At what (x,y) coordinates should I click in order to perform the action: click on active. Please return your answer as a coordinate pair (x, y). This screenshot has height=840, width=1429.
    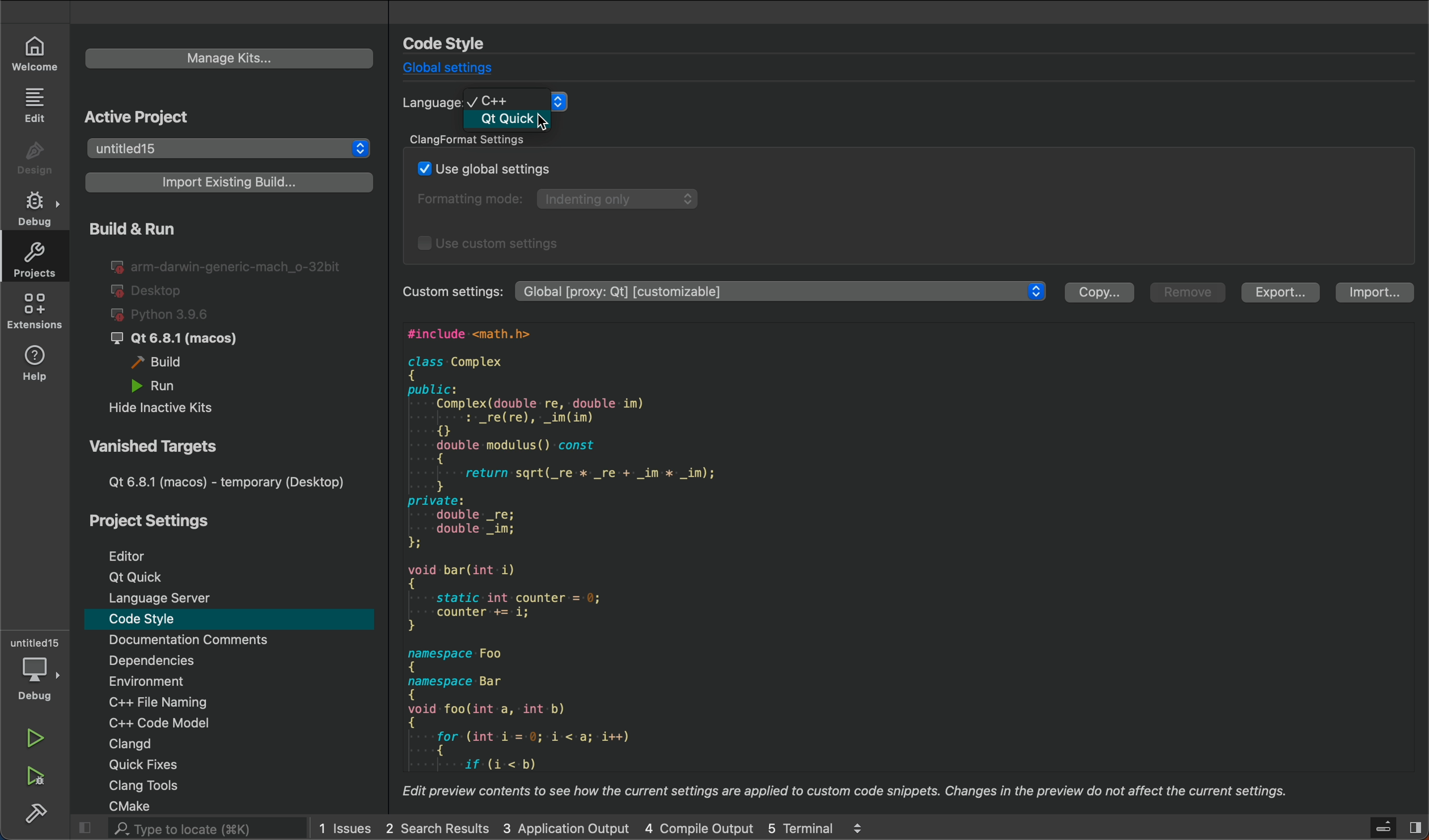
    Looking at the image, I should click on (142, 115).